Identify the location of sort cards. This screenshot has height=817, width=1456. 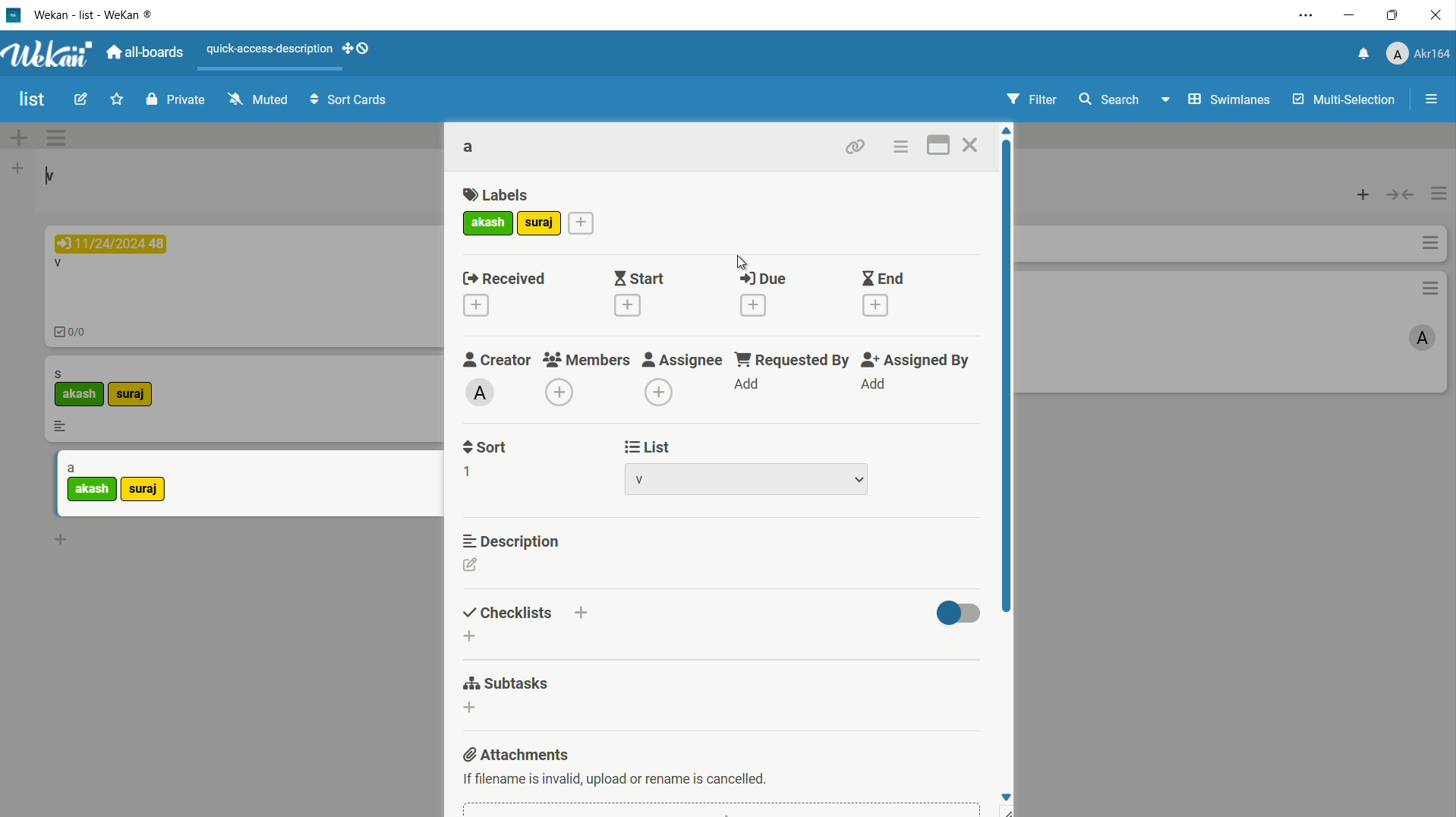
(351, 101).